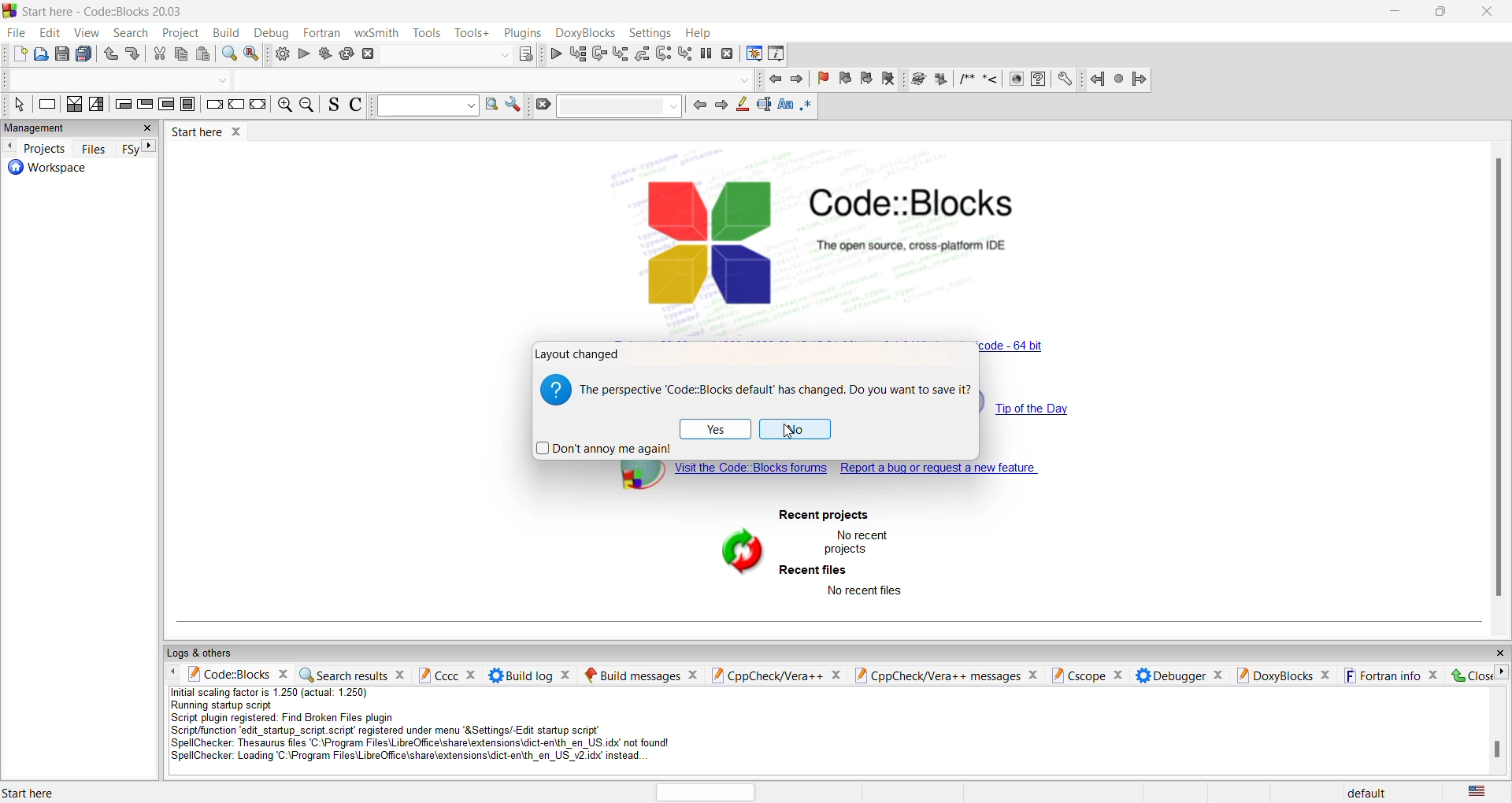 This screenshot has width=1512, height=803. What do you see at coordinates (1490, 13) in the screenshot?
I see `close` at bounding box center [1490, 13].